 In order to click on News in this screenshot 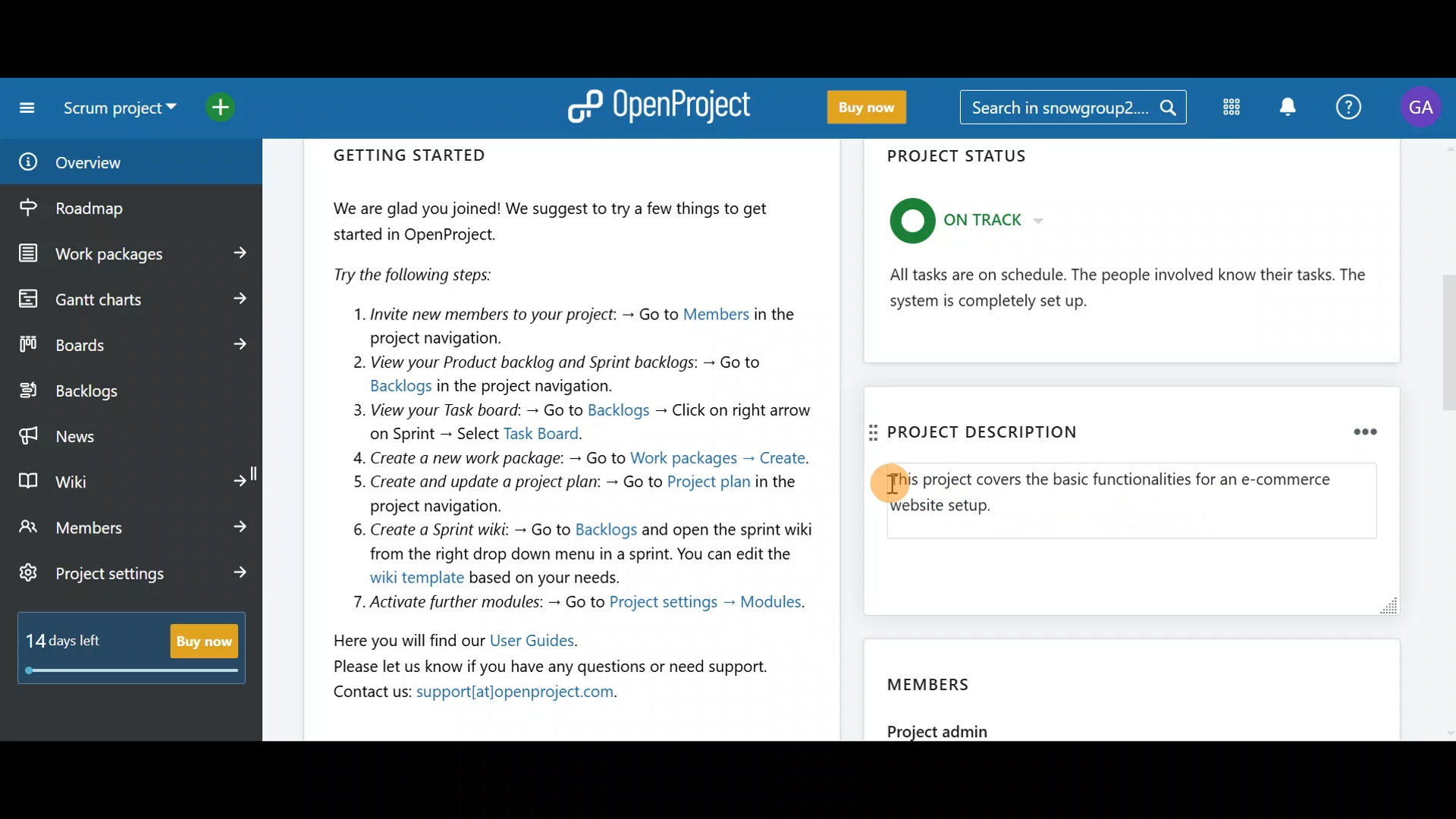, I will do `click(130, 432)`.